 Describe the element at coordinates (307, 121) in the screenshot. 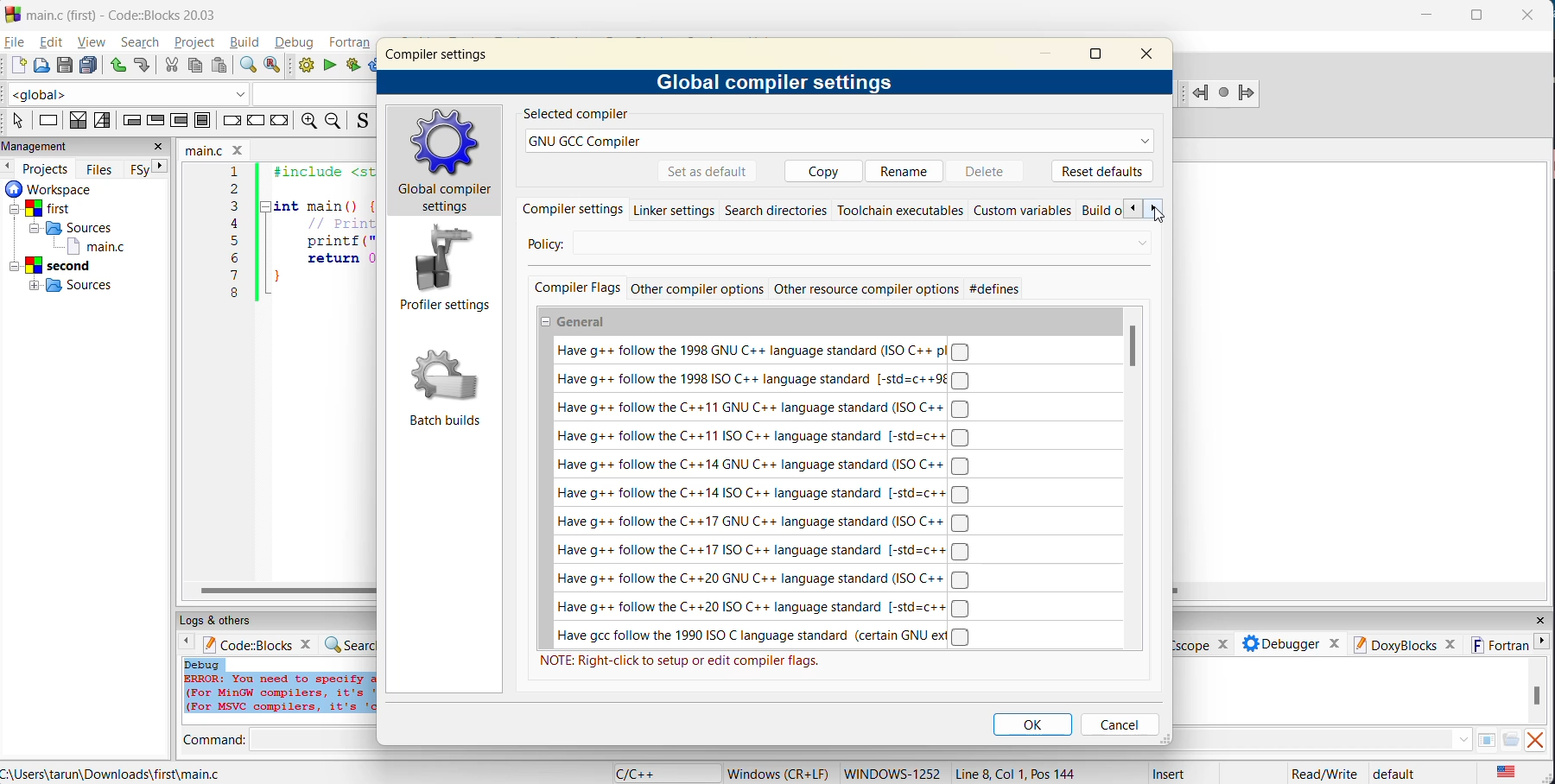

I see `zoom in` at that location.